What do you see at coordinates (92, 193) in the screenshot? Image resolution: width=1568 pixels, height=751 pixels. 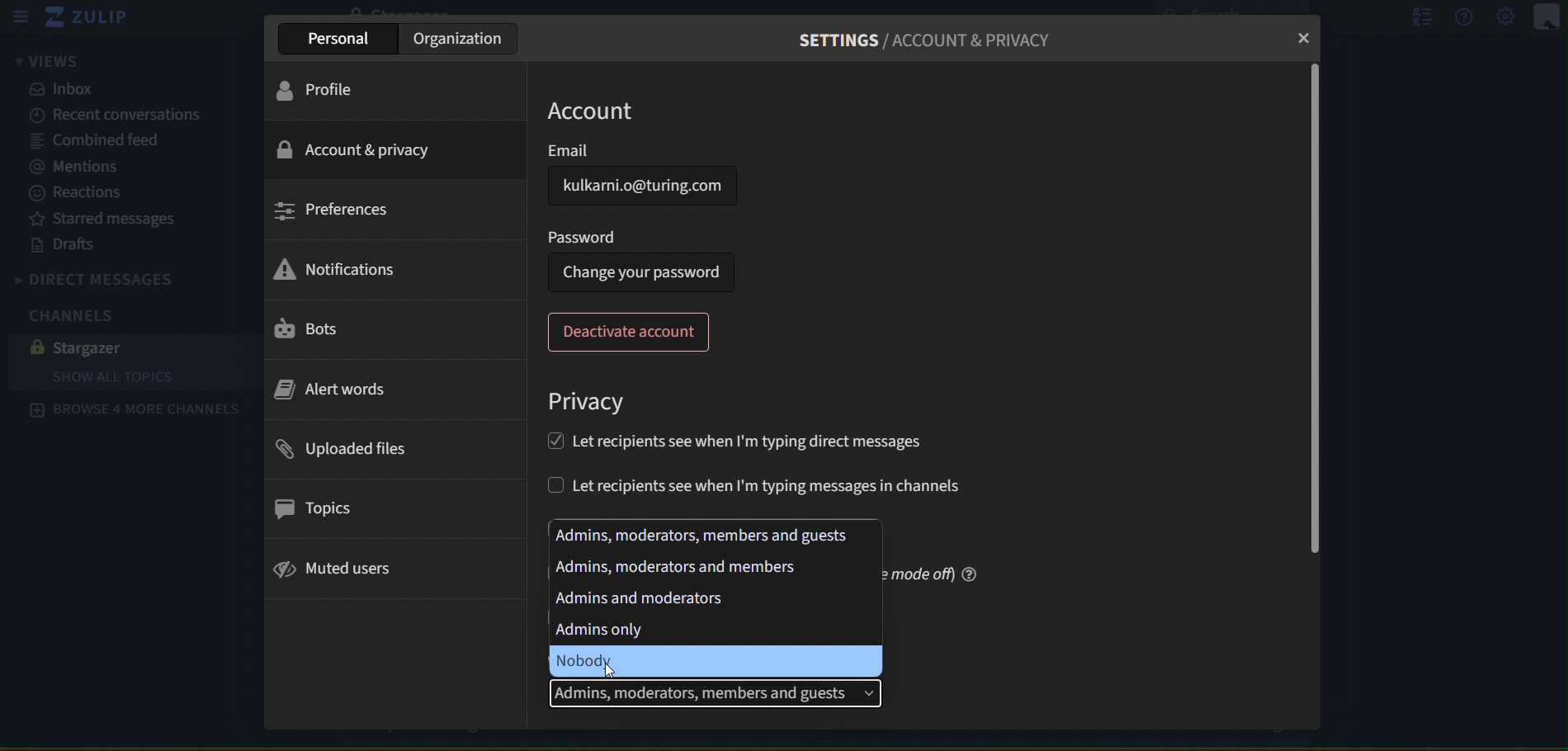 I see `reactions` at bounding box center [92, 193].